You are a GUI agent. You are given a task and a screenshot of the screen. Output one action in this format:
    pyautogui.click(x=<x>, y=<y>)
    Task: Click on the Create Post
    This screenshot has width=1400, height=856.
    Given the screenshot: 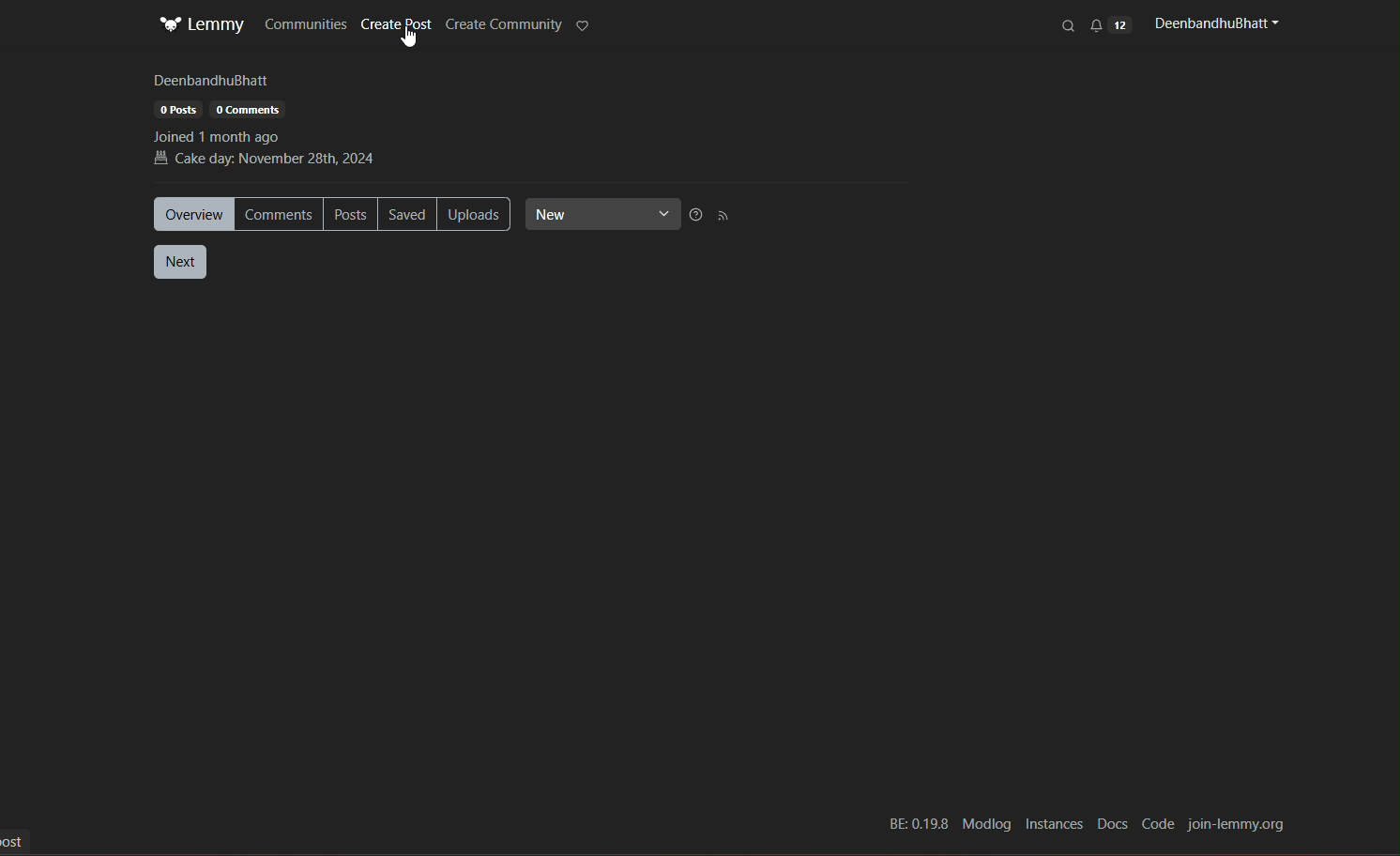 What is the action you would take?
    pyautogui.click(x=399, y=32)
    